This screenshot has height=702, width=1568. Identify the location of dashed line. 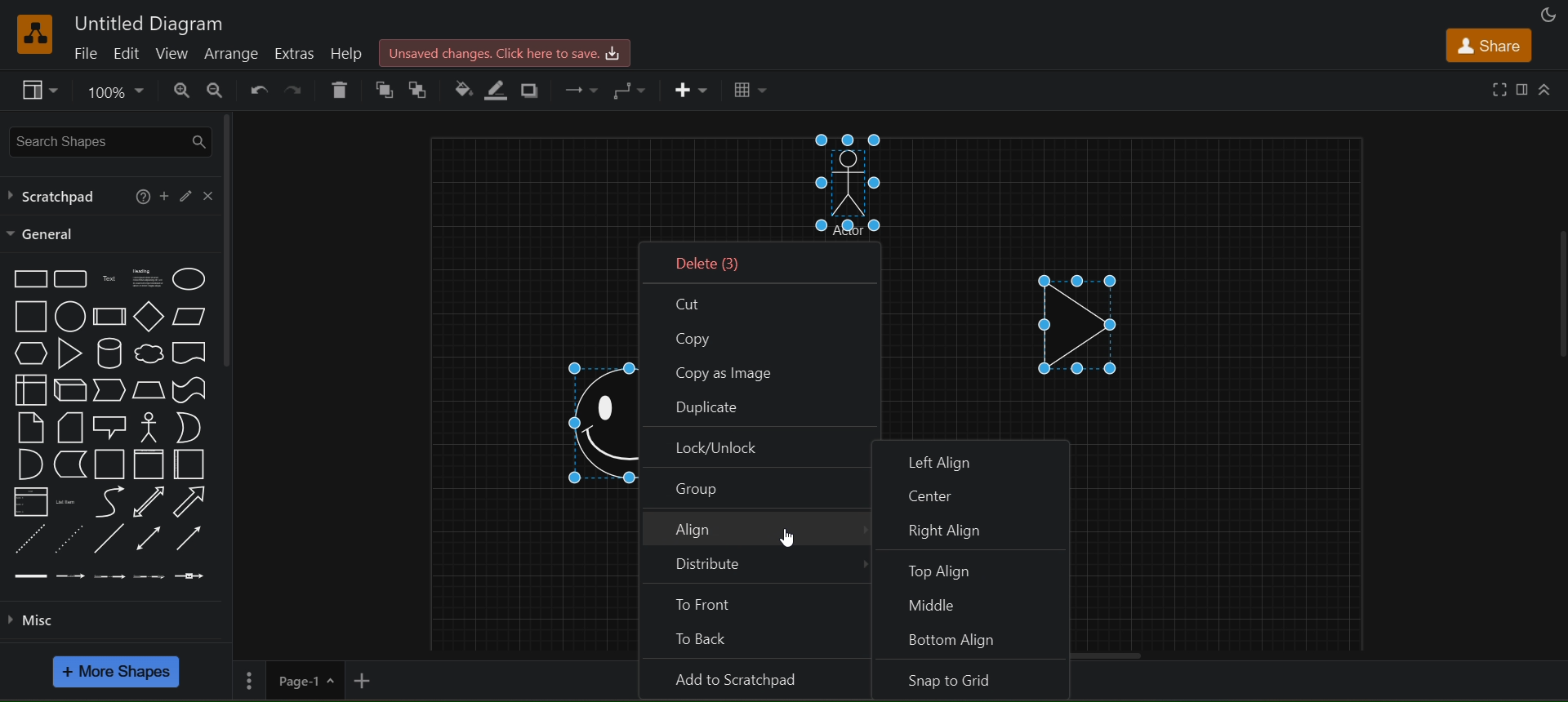
(33, 539).